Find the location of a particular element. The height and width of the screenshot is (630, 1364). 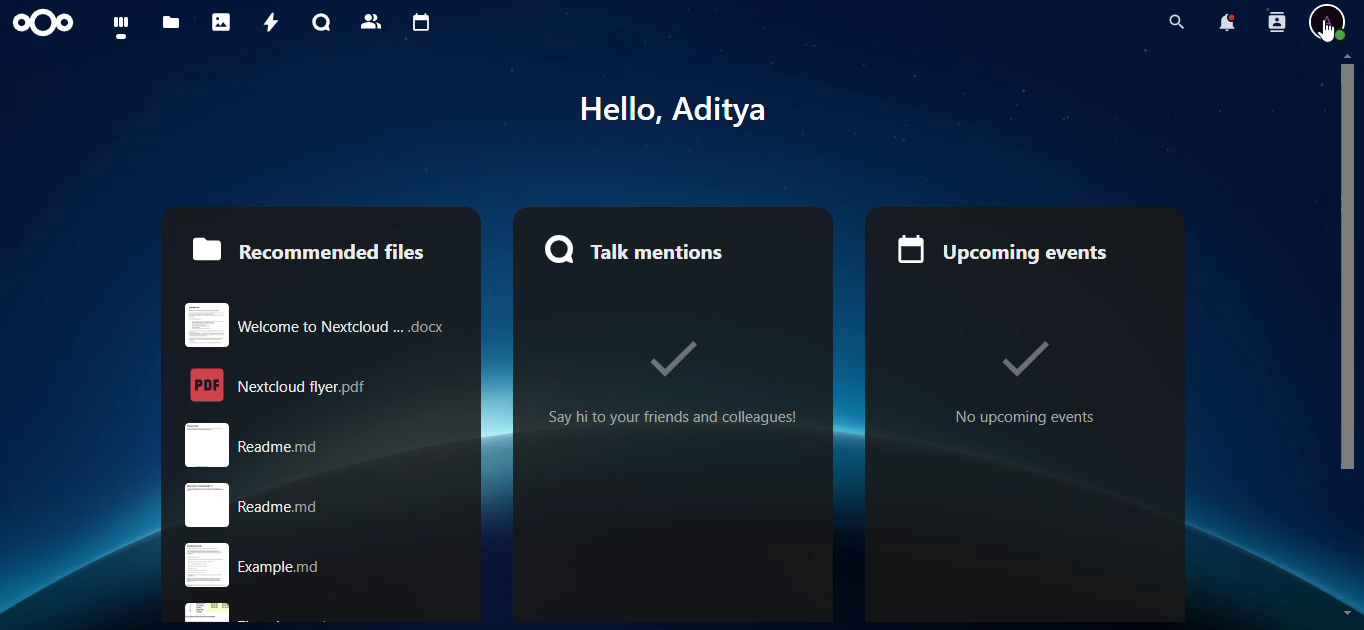

calendar is located at coordinates (420, 23).